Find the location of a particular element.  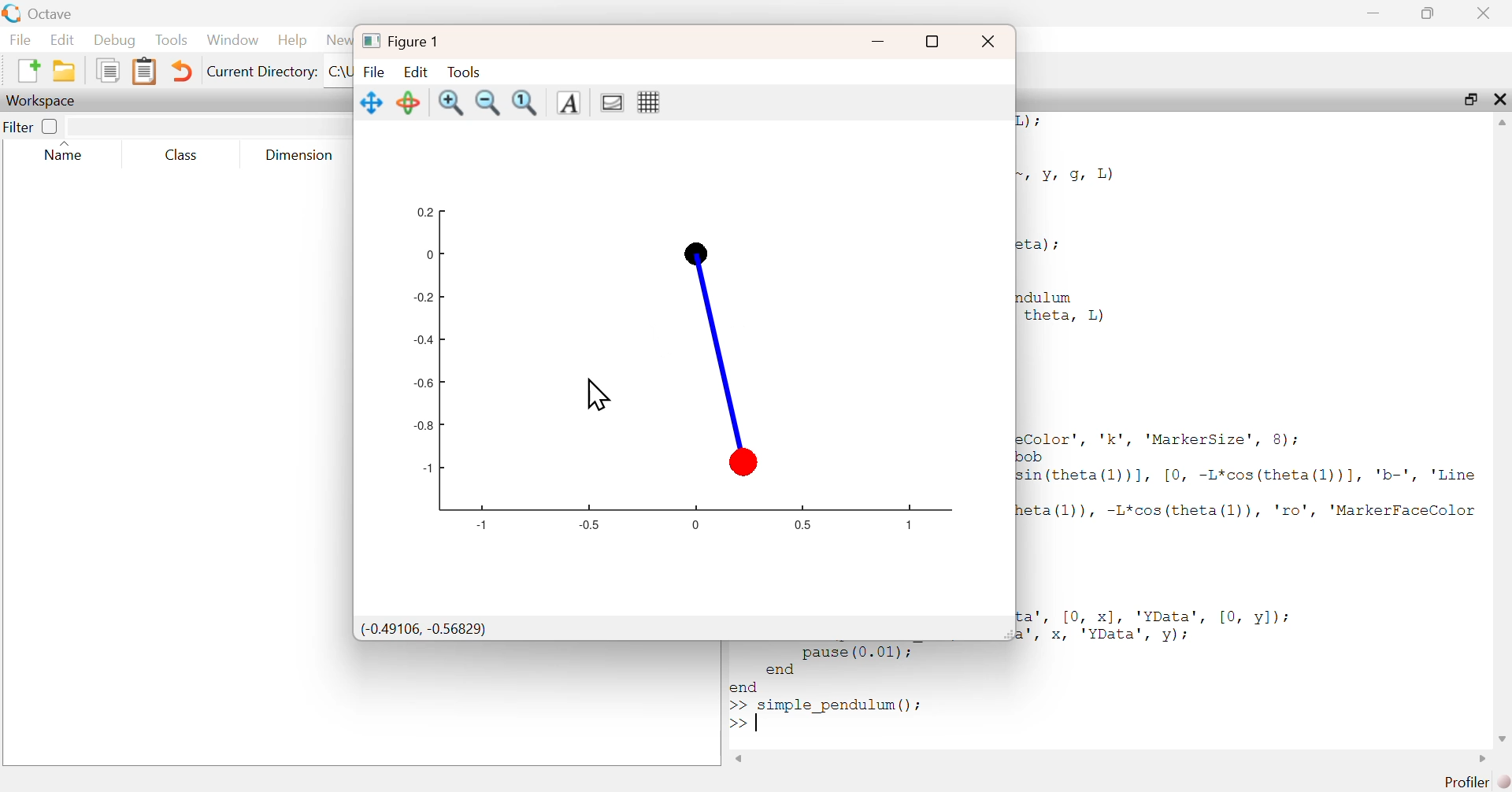

open an existing file in directory is located at coordinates (68, 70).